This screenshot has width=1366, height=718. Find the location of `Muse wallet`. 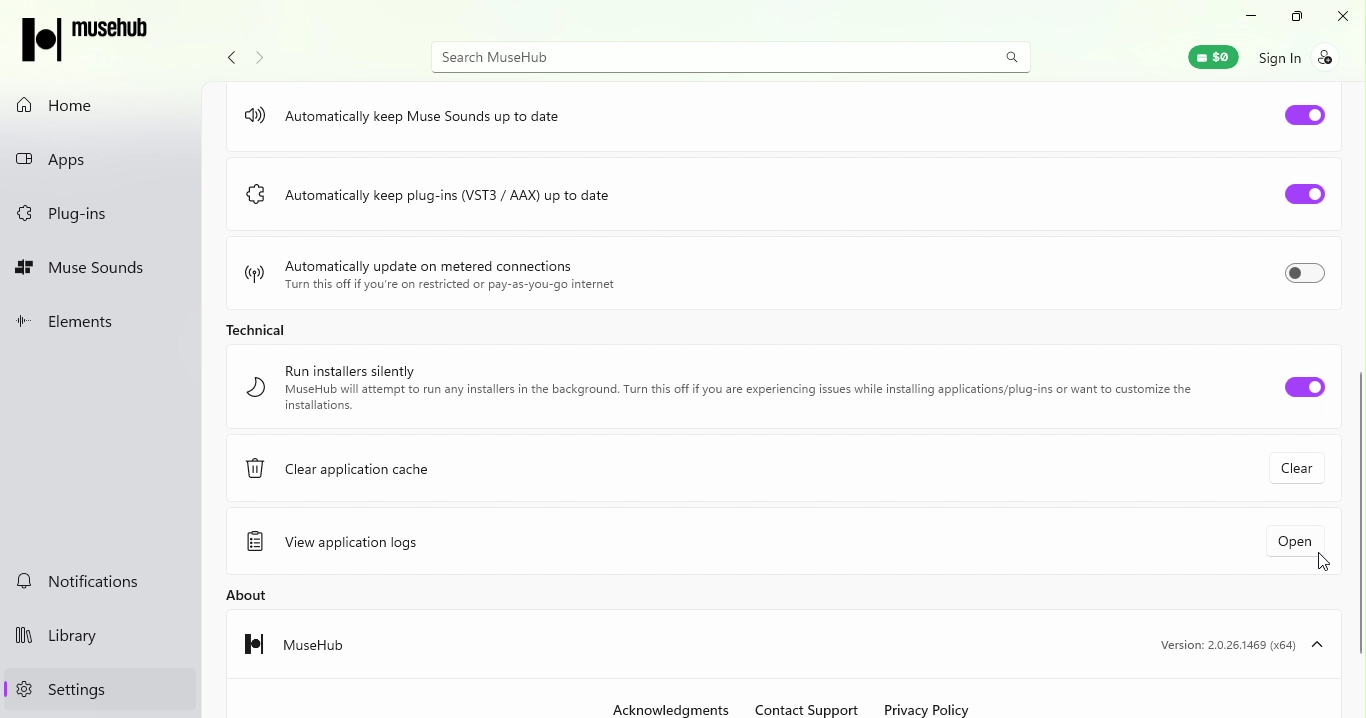

Muse wallet is located at coordinates (1204, 56).